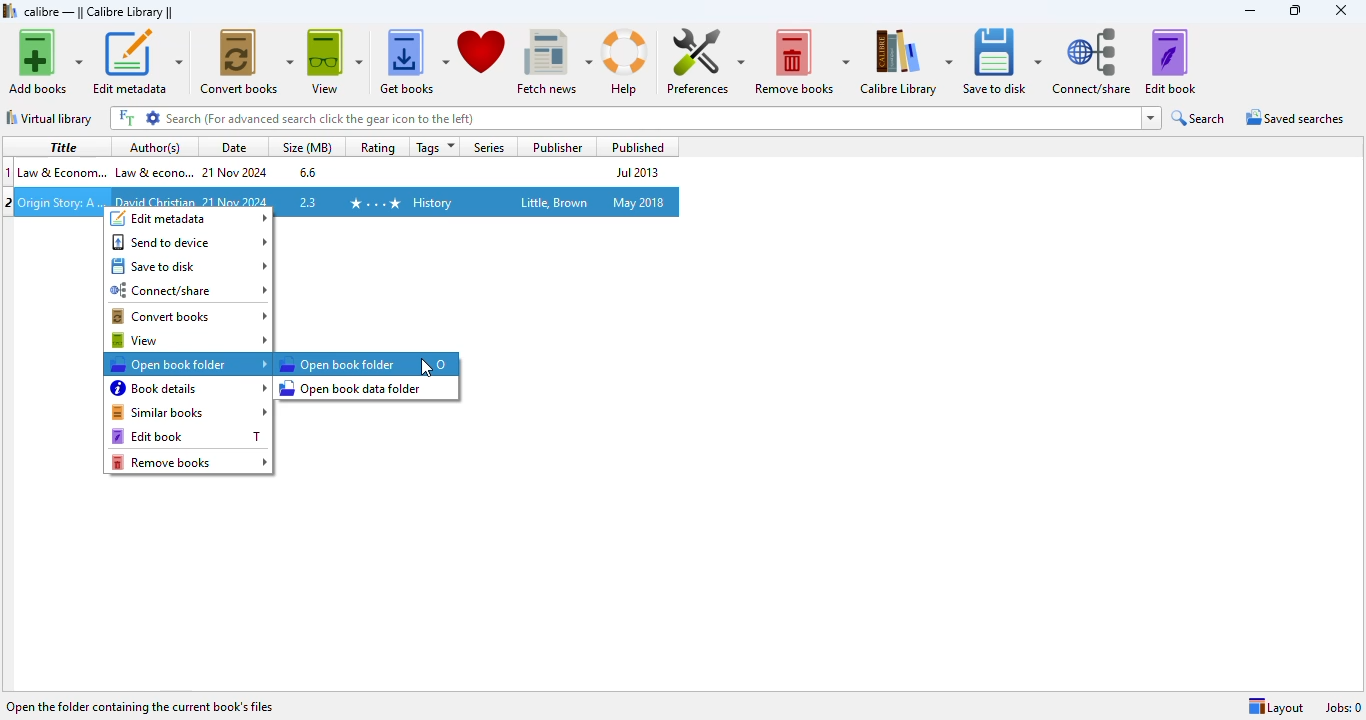 The height and width of the screenshot is (720, 1366). Describe the element at coordinates (10, 10) in the screenshot. I see `logo` at that location.